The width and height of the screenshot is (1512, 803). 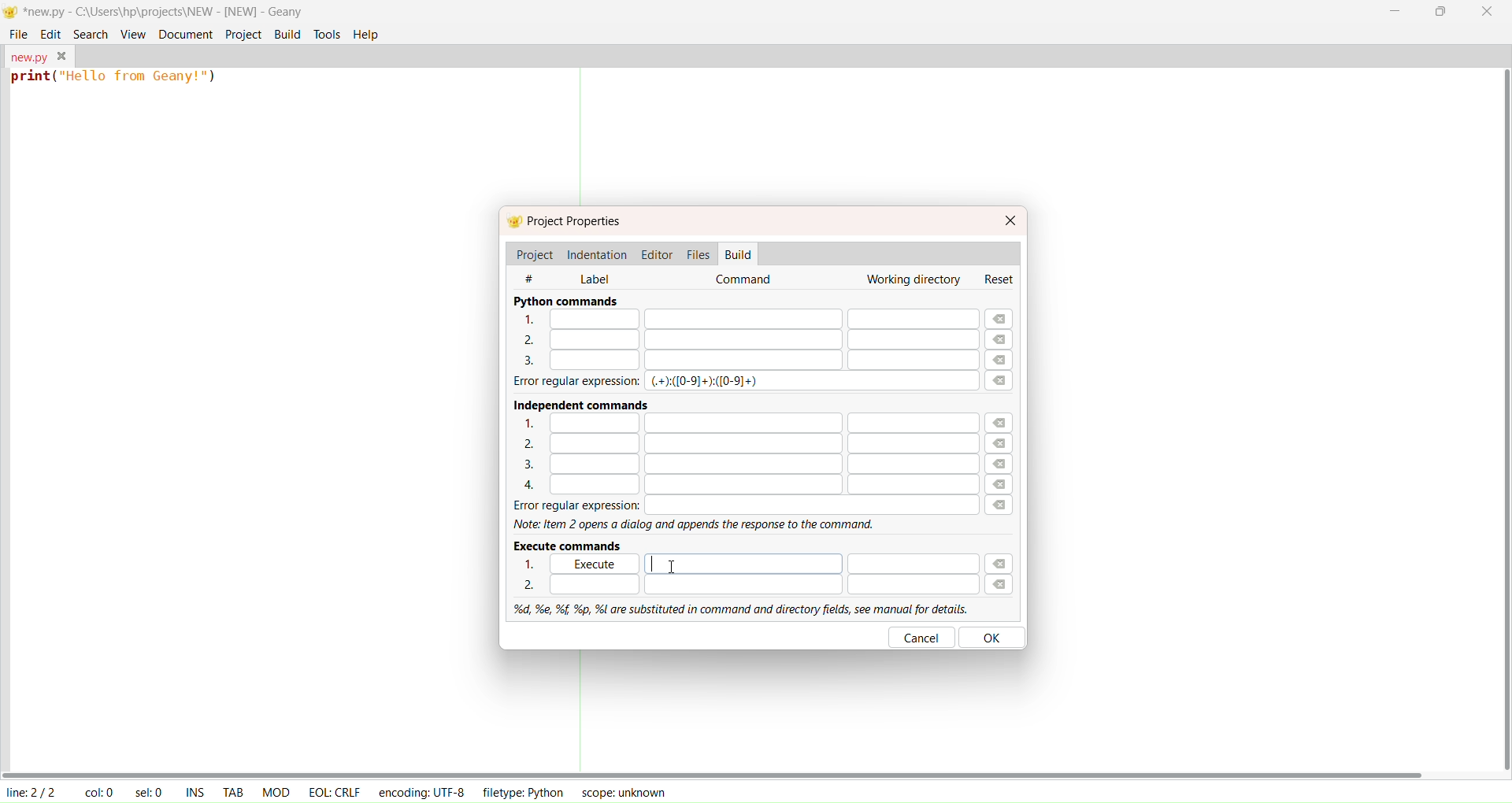 I want to click on project, so click(x=242, y=34).